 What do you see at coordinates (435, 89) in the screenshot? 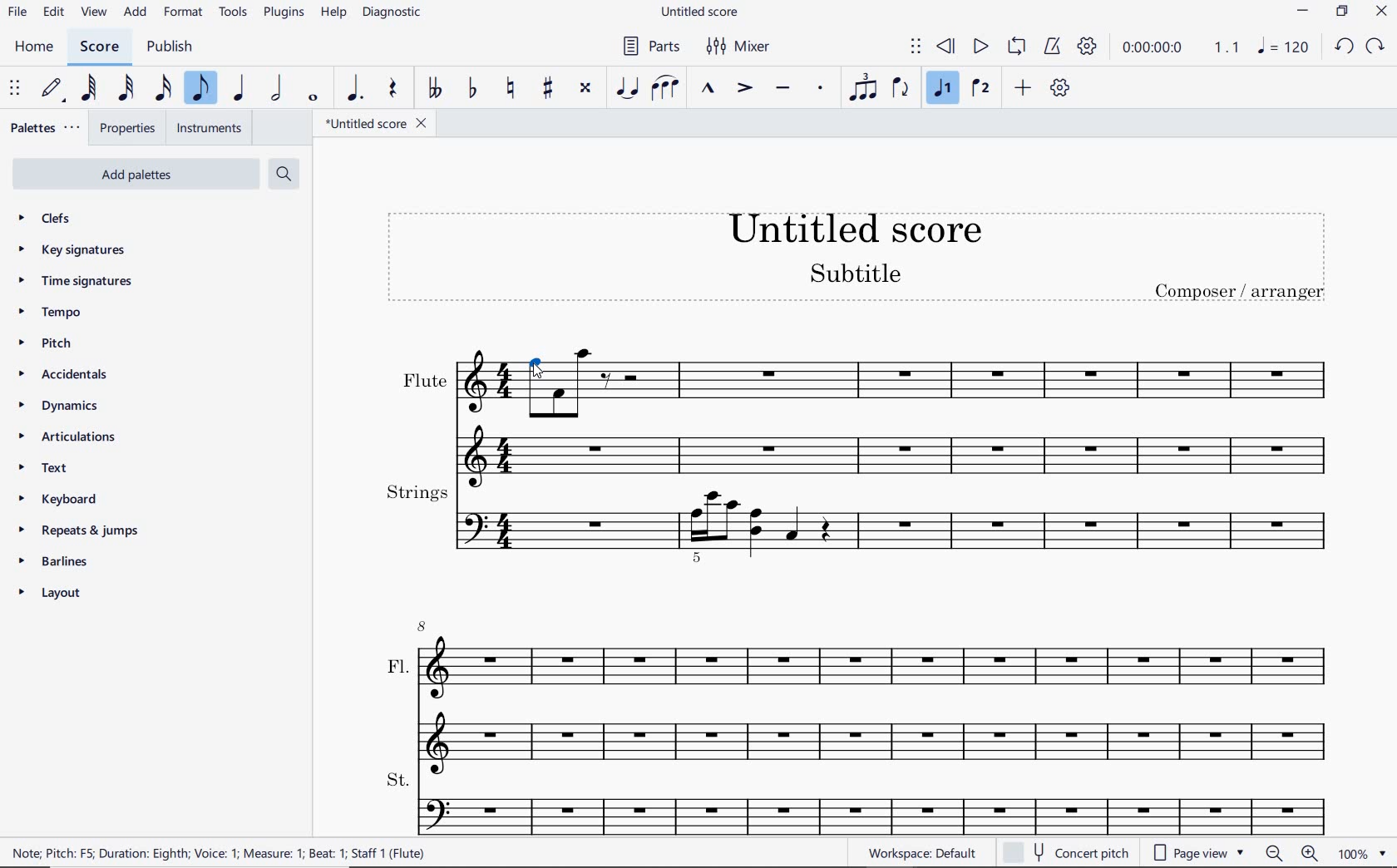
I see `TOGGLE DOUBLE-FLAT` at bounding box center [435, 89].